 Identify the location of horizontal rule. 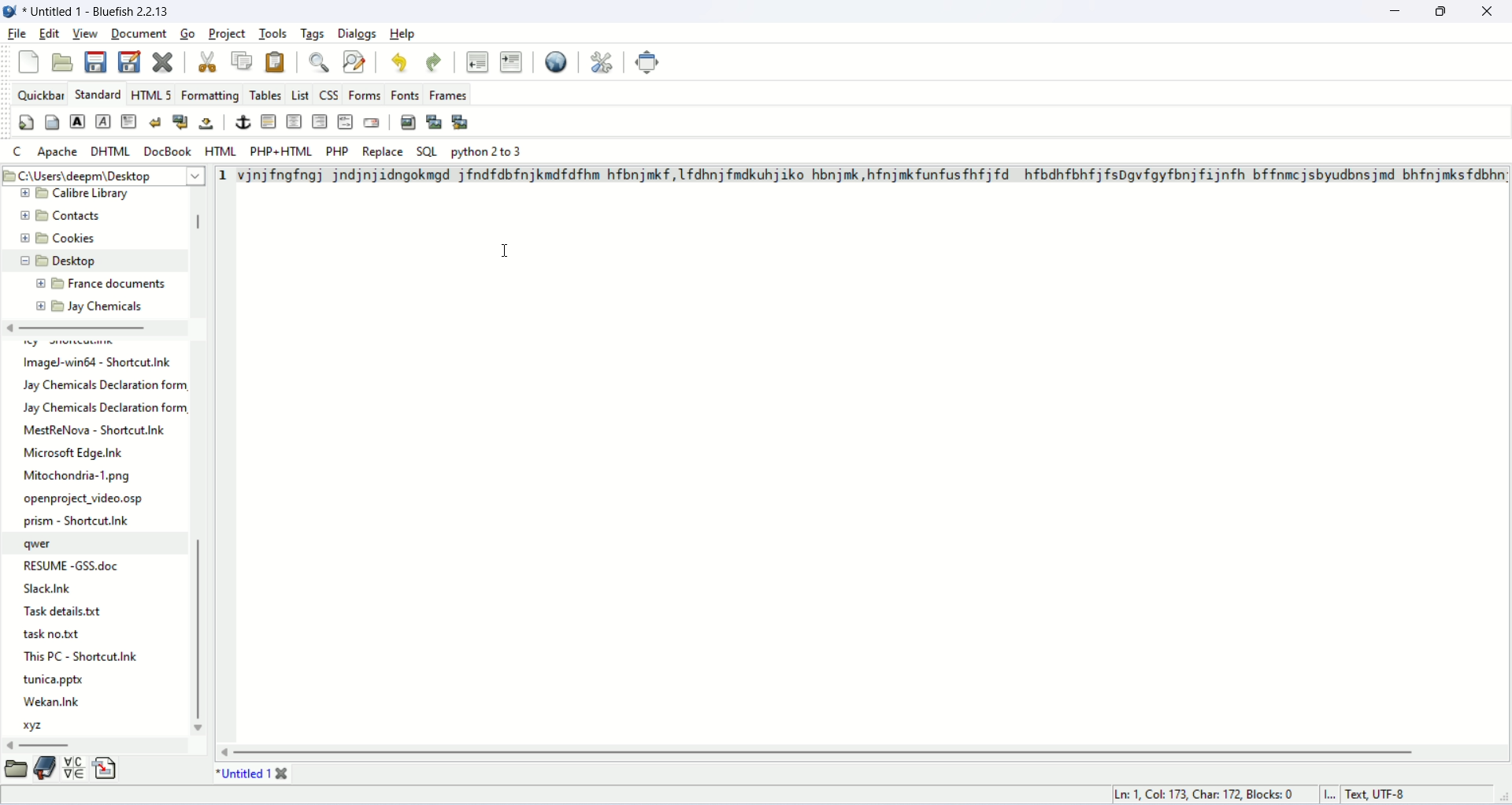
(269, 121).